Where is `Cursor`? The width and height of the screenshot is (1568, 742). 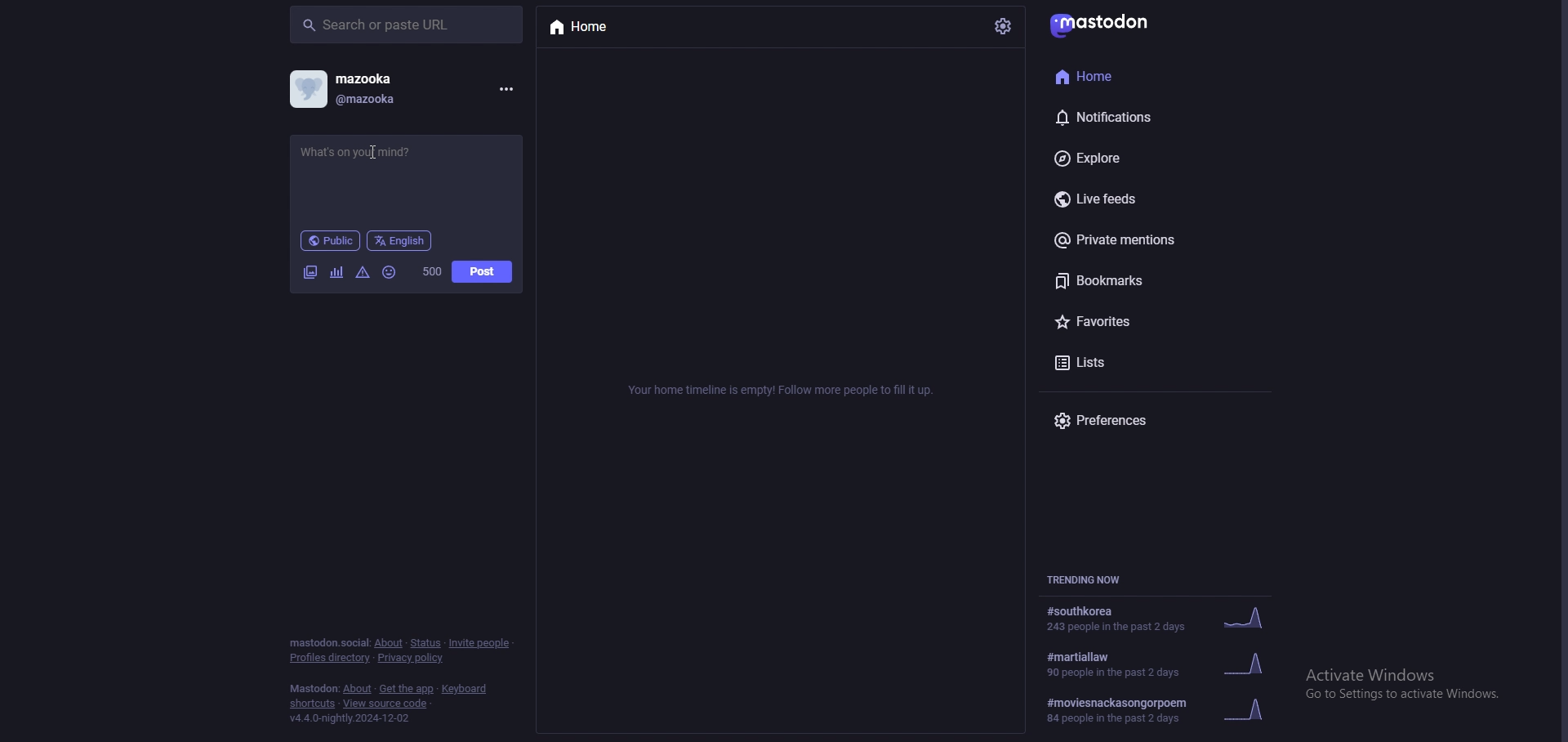
Cursor is located at coordinates (383, 155).